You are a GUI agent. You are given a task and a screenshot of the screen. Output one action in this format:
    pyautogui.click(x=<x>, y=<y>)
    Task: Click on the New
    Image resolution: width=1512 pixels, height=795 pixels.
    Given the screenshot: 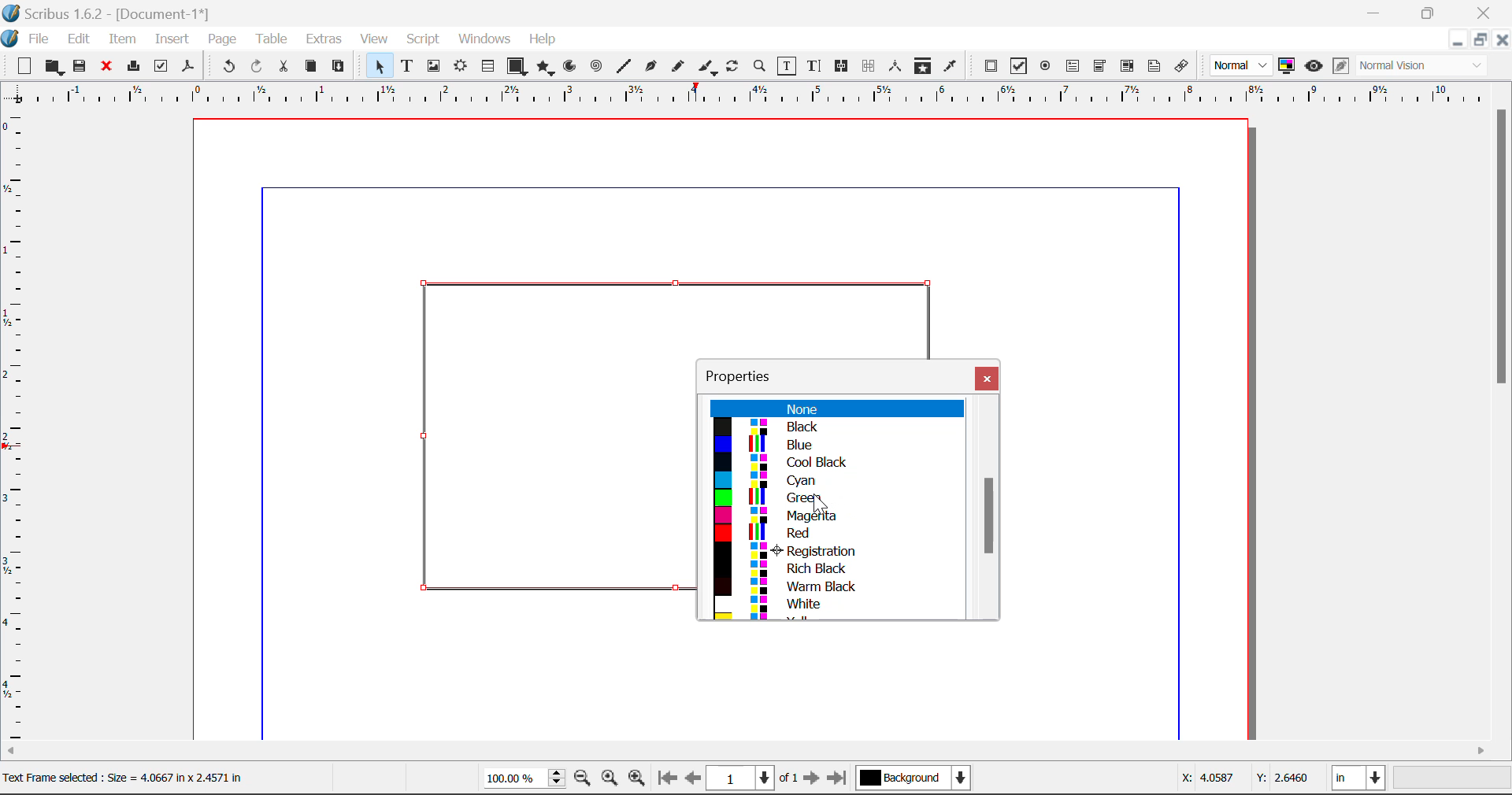 What is the action you would take?
    pyautogui.click(x=23, y=66)
    